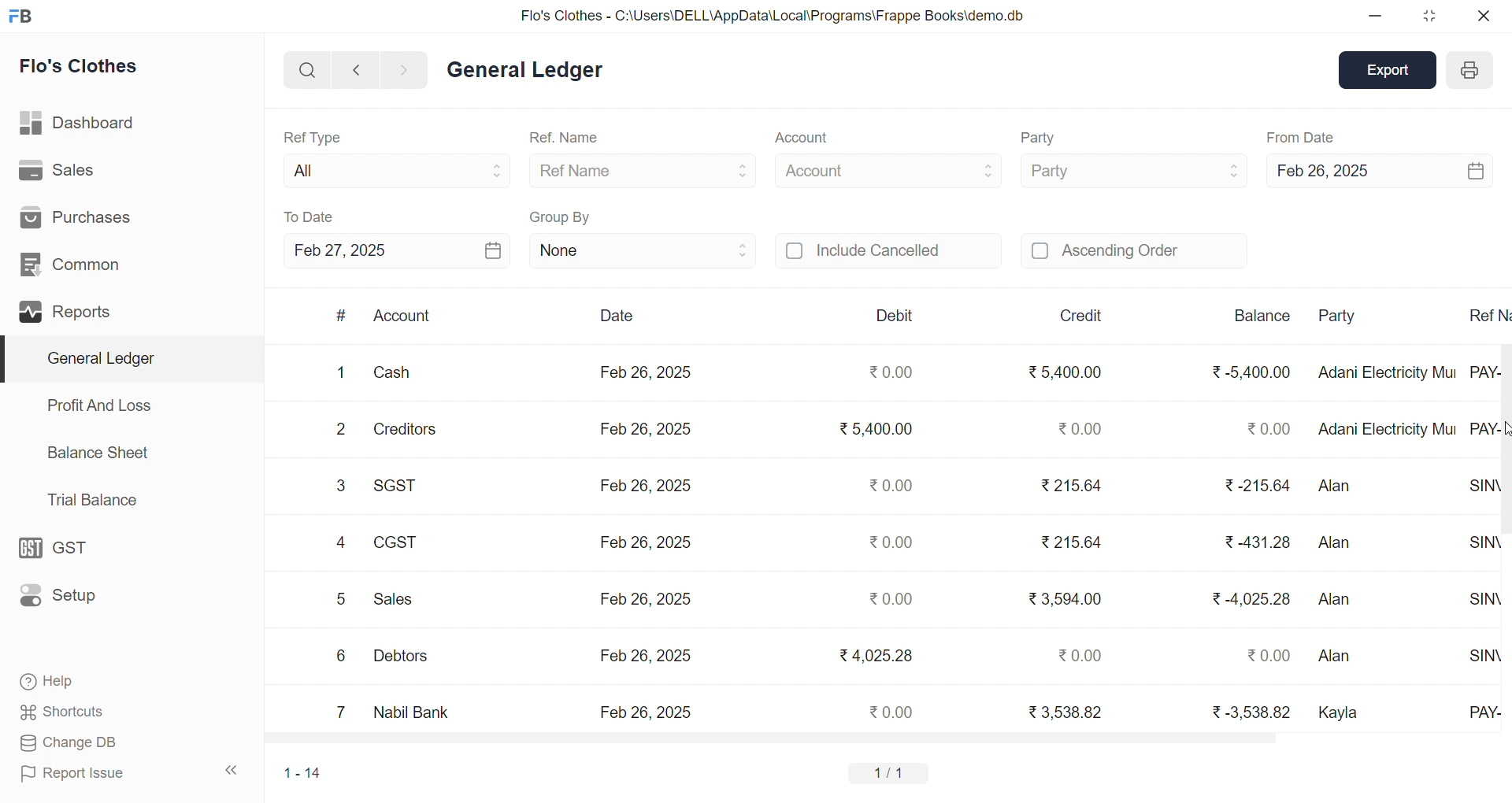 Image resolution: width=1512 pixels, height=803 pixels. What do you see at coordinates (1503, 540) in the screenshot?
I see `vertical scroll bar` at bounding box center [1503, 540].